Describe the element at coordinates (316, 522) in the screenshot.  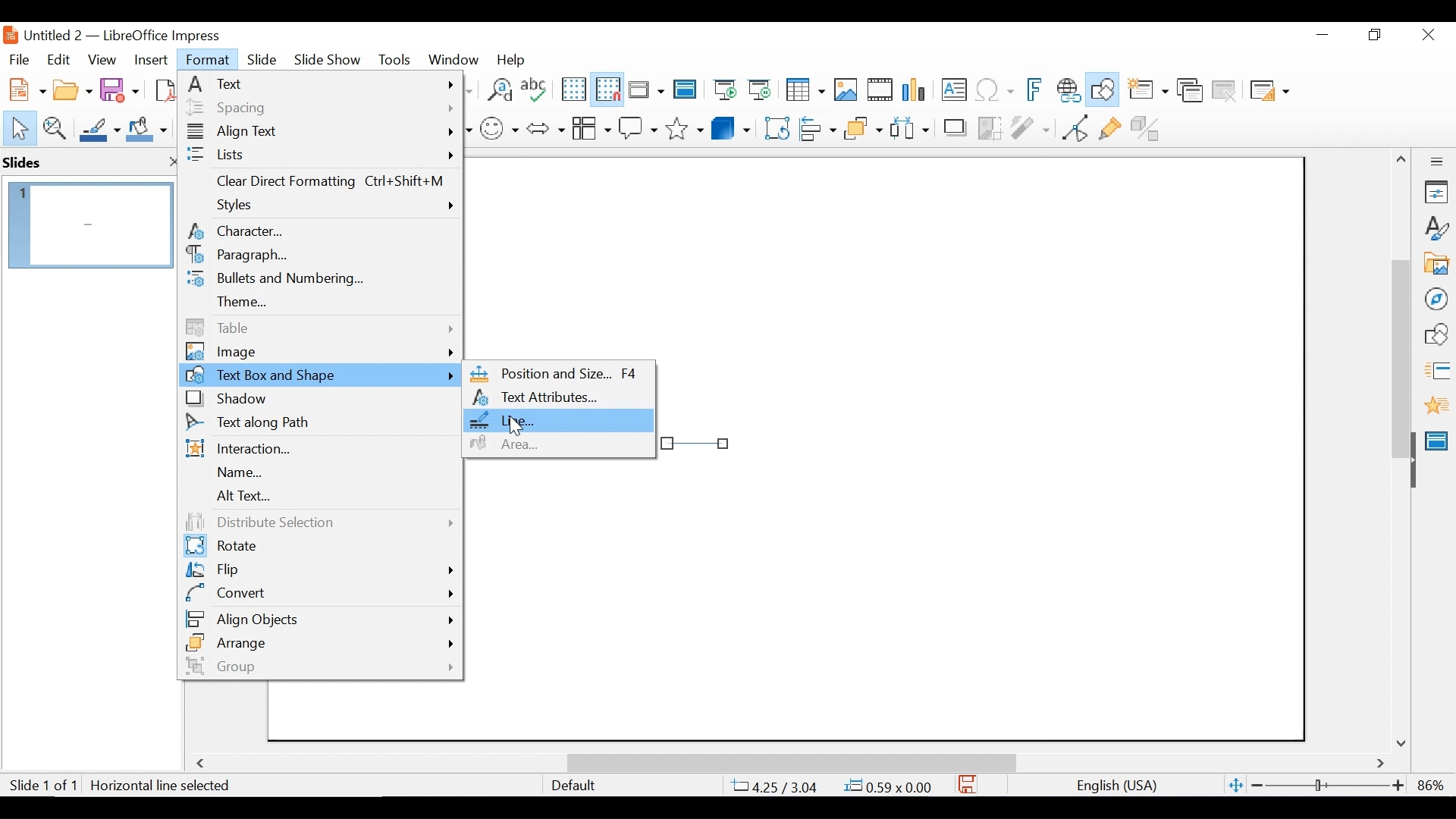
I see `Distribution selection` at that location.